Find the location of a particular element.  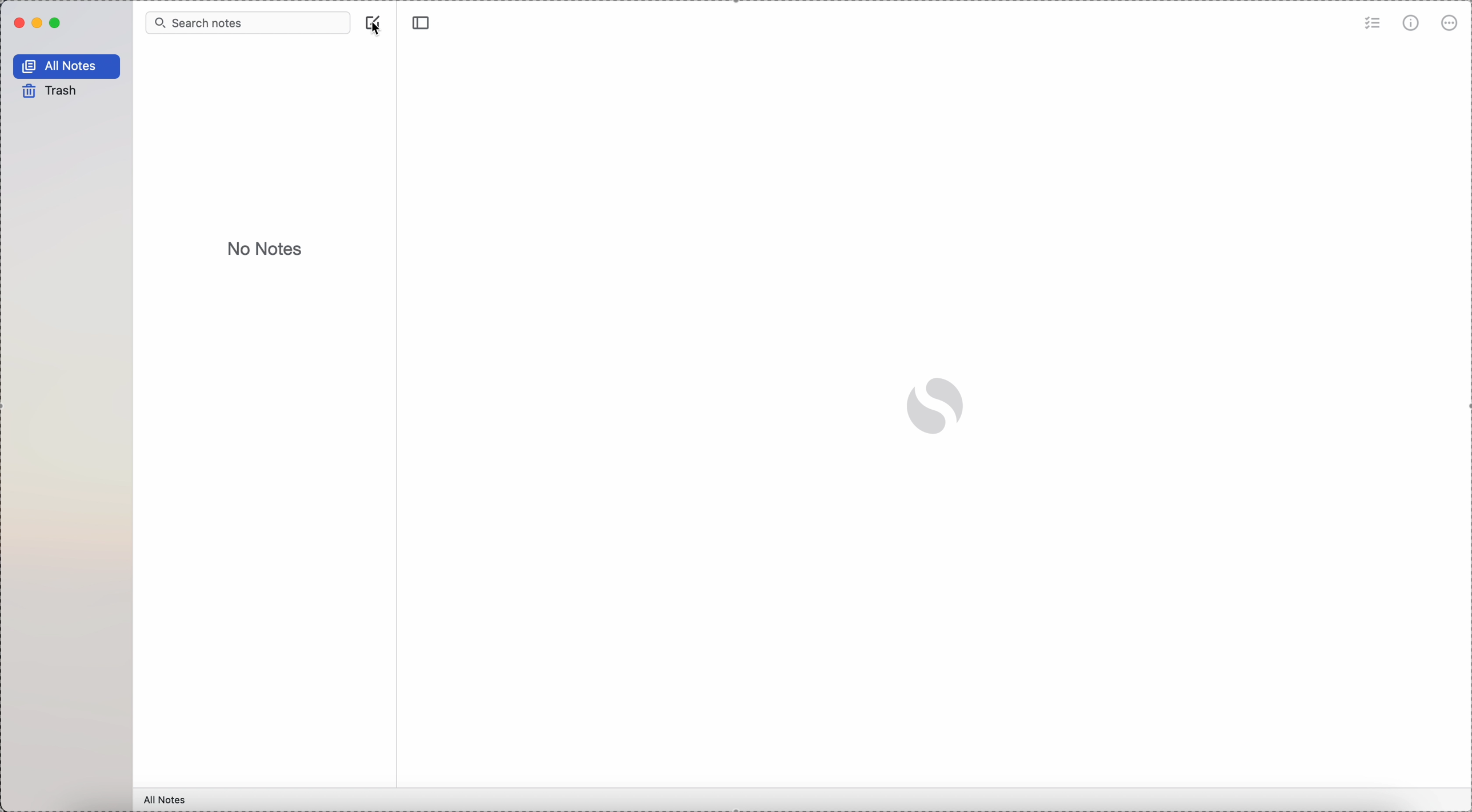

close Simplenote is located at coordinates (18, 23).